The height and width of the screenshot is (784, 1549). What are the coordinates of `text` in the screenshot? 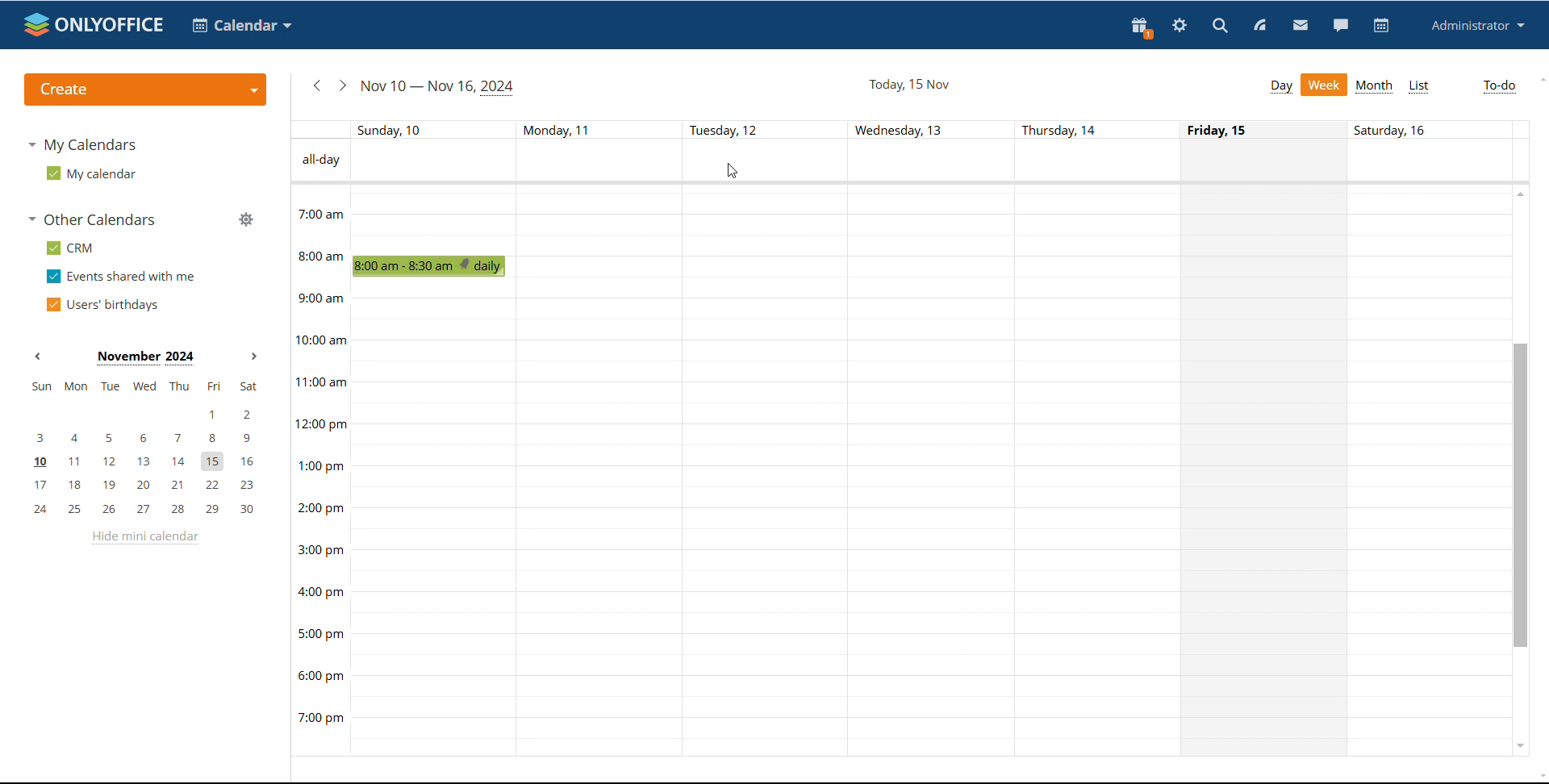 It's located at (320, 161).